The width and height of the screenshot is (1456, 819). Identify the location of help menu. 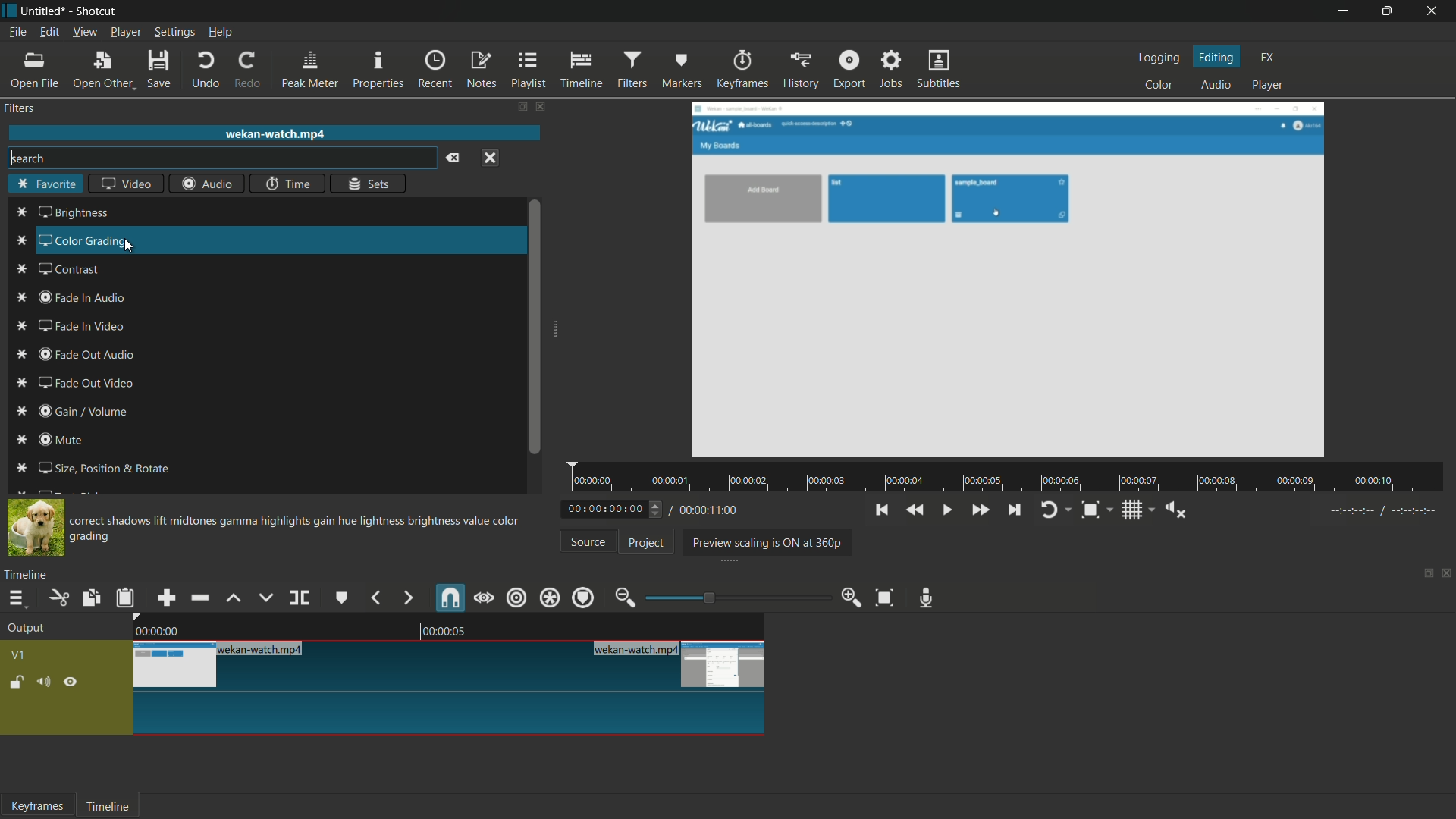
(221, 33).